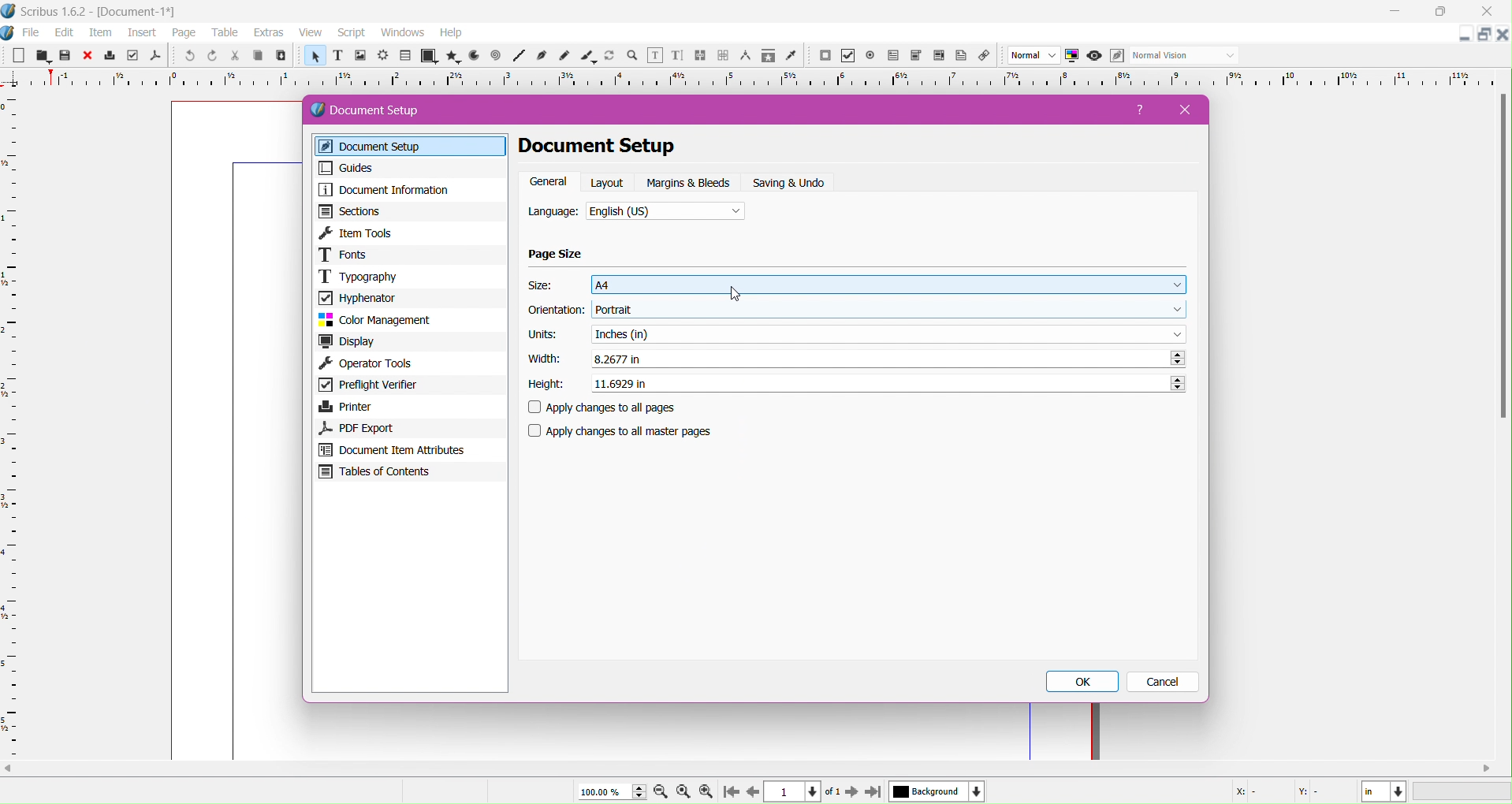  I want to click on calligraphic lines, so click(588, 57).